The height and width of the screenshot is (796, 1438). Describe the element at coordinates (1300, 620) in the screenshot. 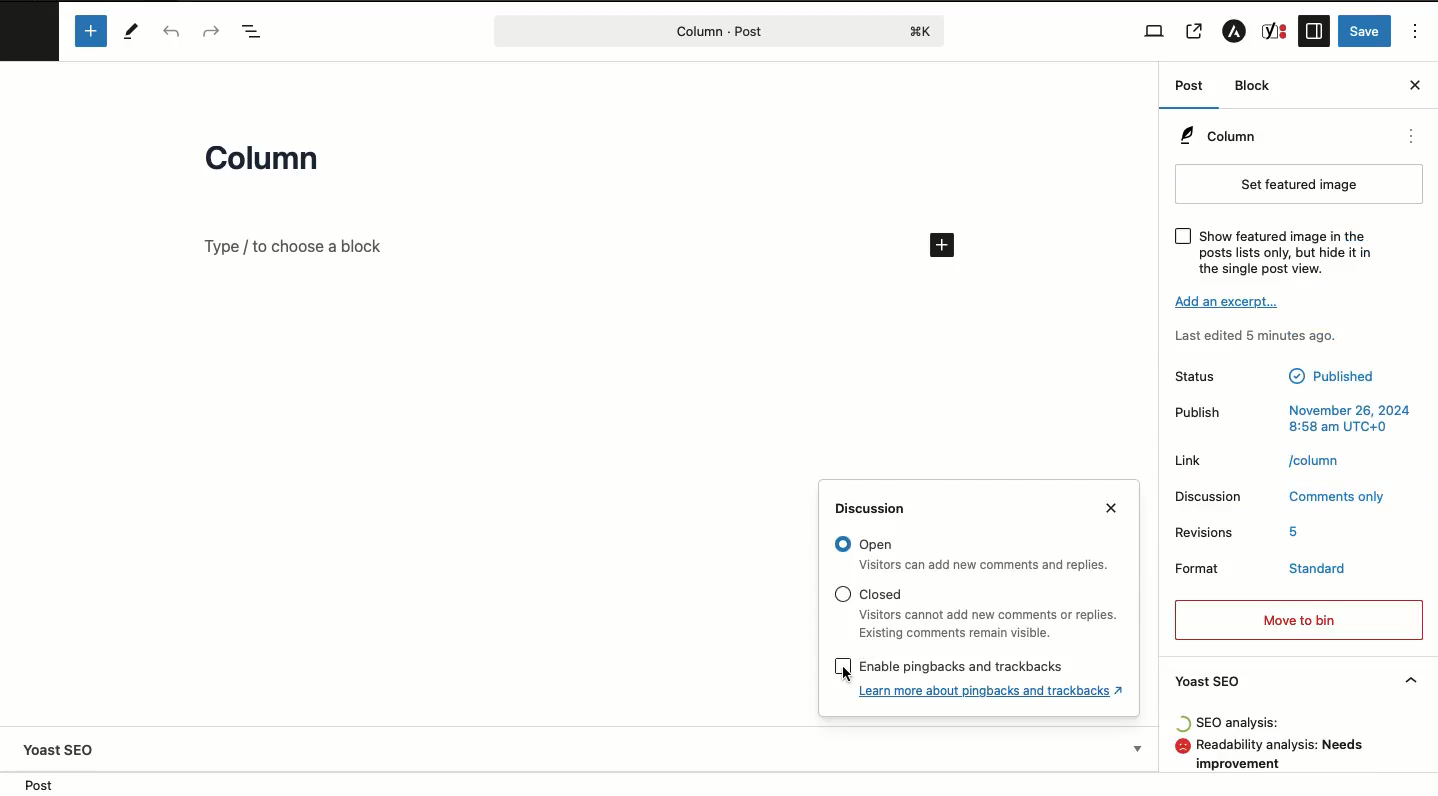

I see `Move to bin` at that location.